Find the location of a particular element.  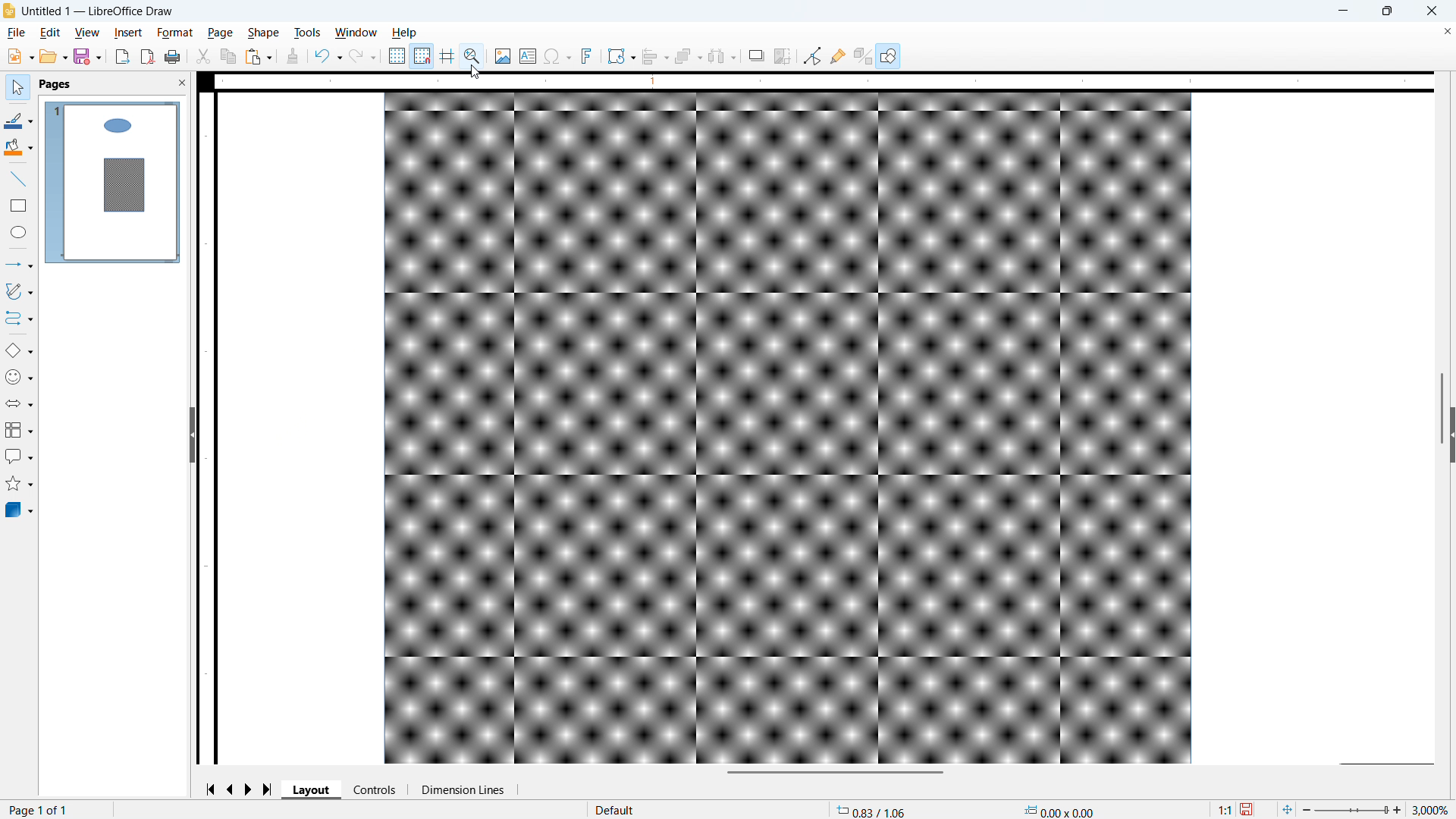

Snap to grid  is located at coordinates (422, 55).